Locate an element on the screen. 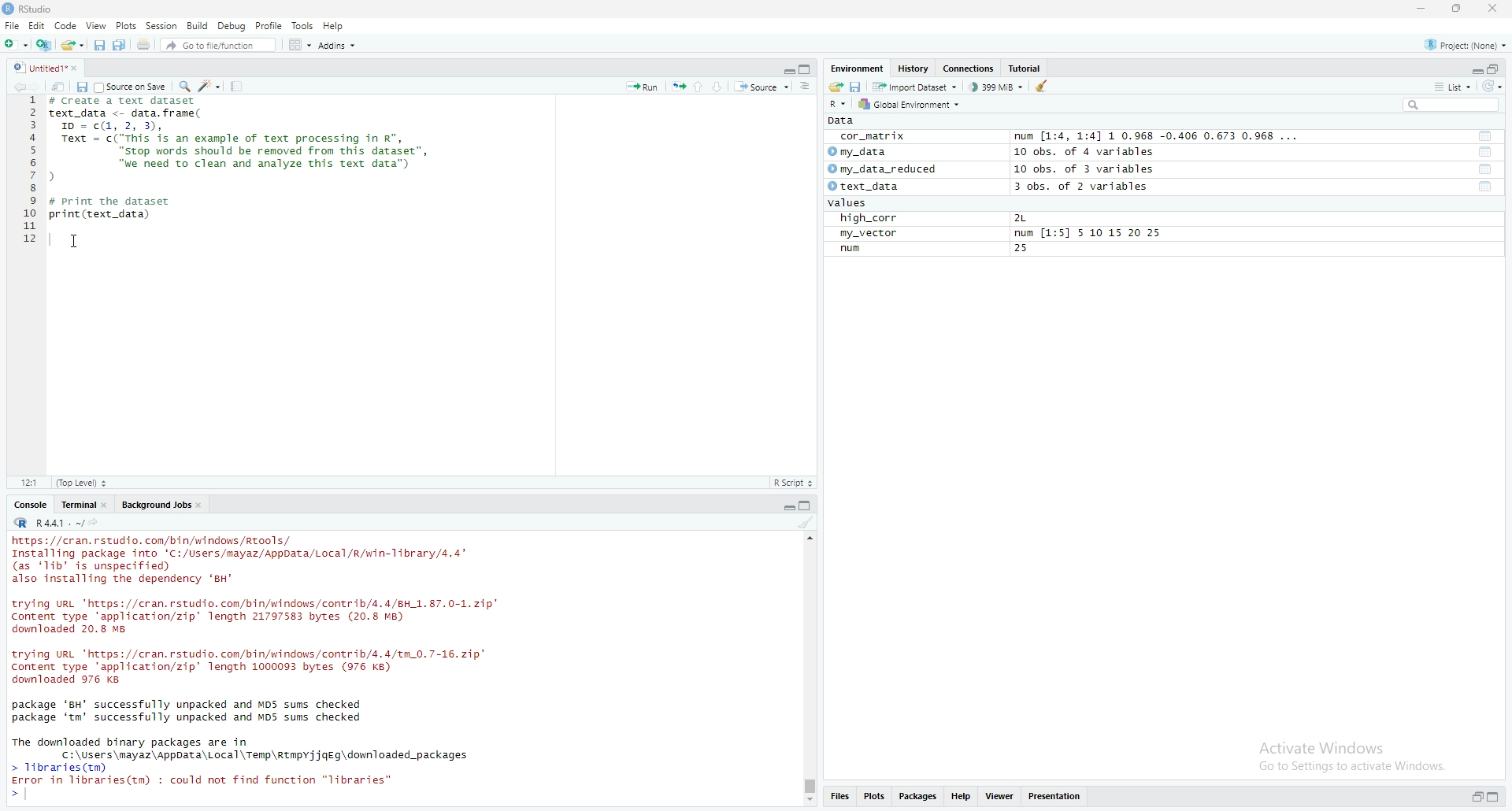 This screenshot has height=811, width=1512. Top level is located at coordinates (82, 482).